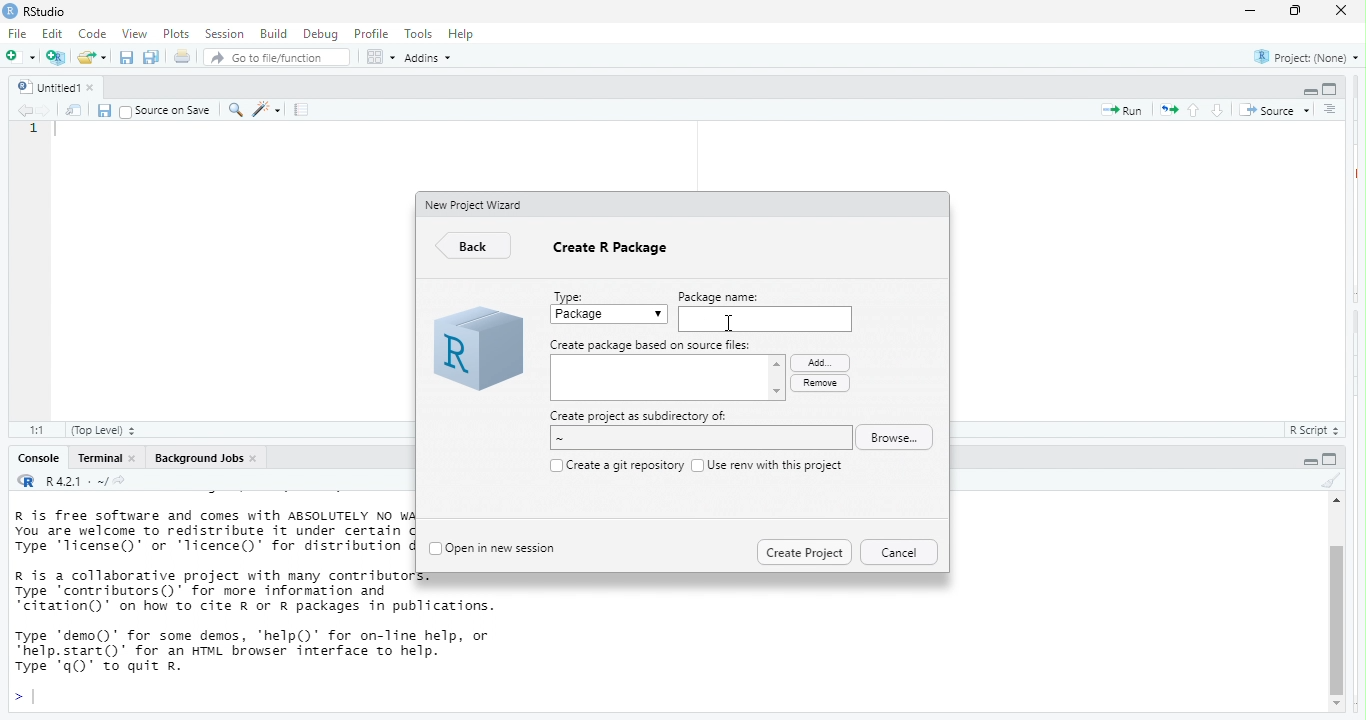 The image size is (1366, 720). Describe the element at coordinates (126, 57) in the screenshot. I see `save current document` at that location.